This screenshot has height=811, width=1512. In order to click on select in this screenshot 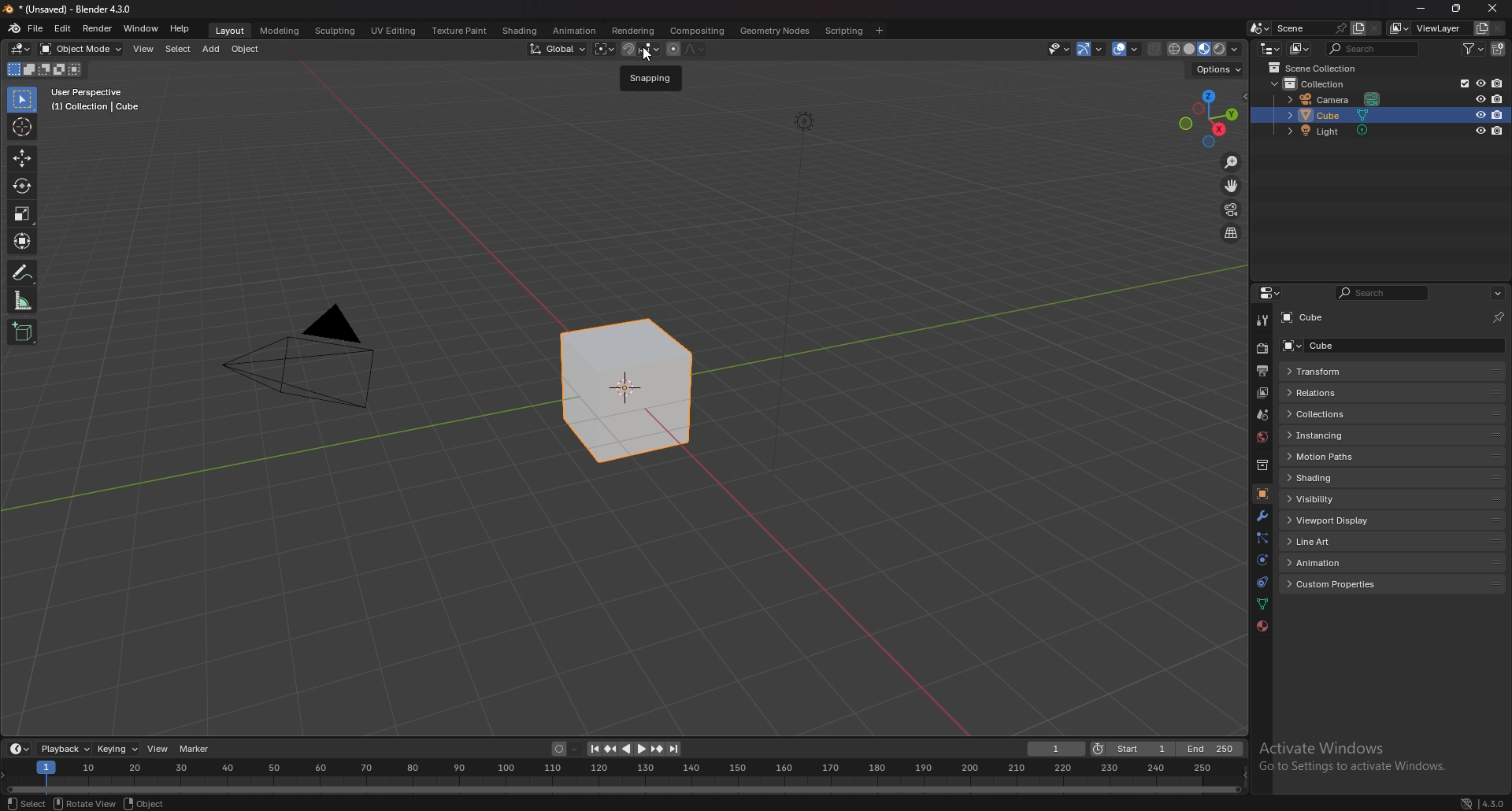, I will do `click(22, 803)`.